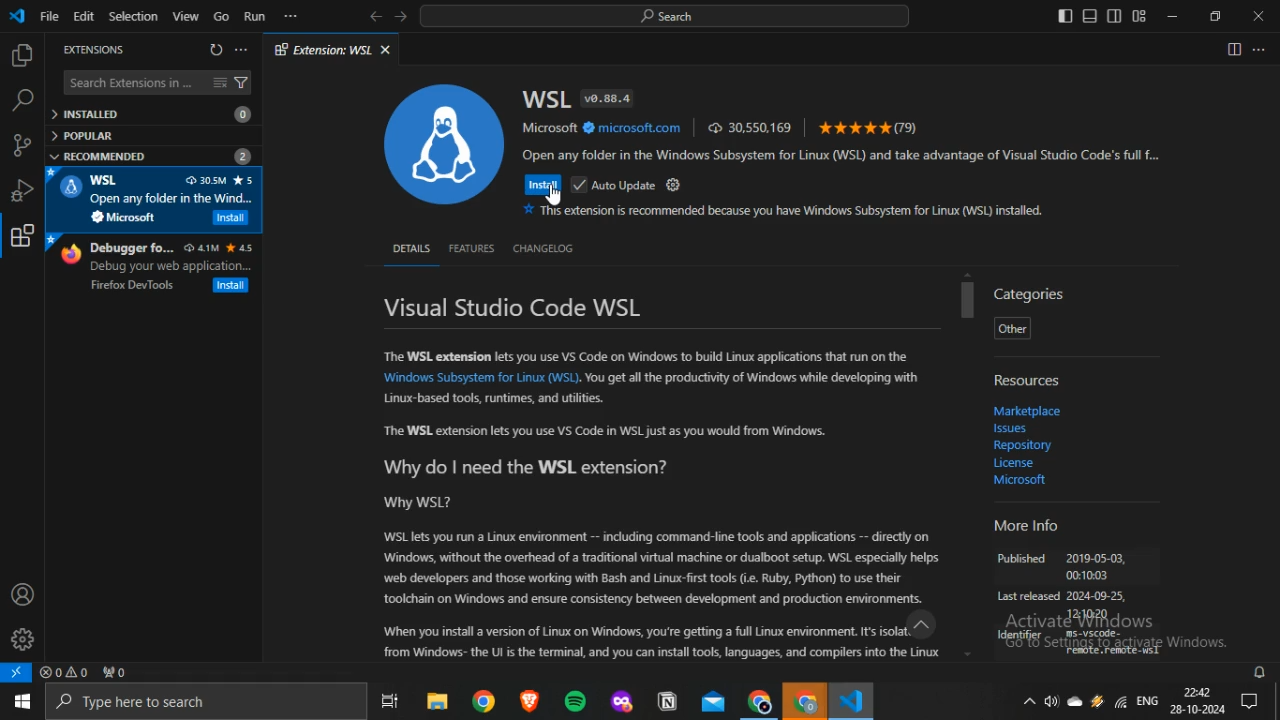  I want to click on Extension: WSL, so click(323, 49).